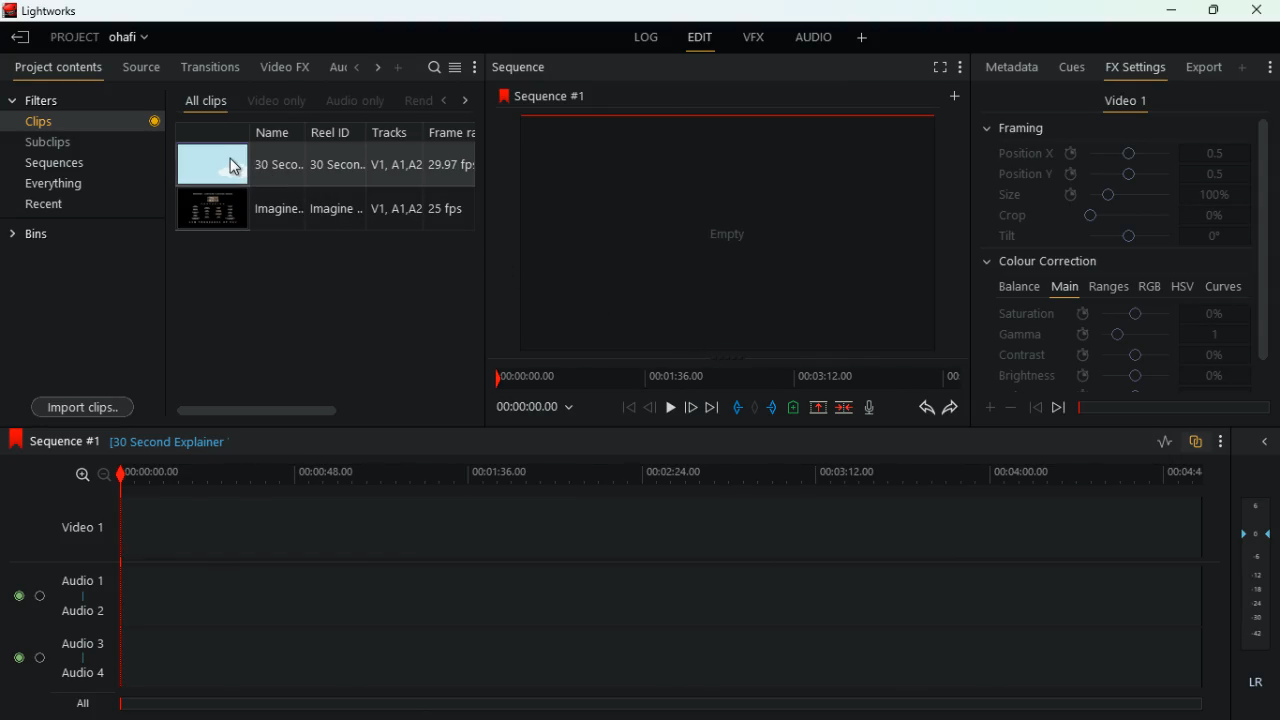  What do you see at coordinates (940, 69) in the screenshot?
I see `full screen` at bounding box center [940, 69].